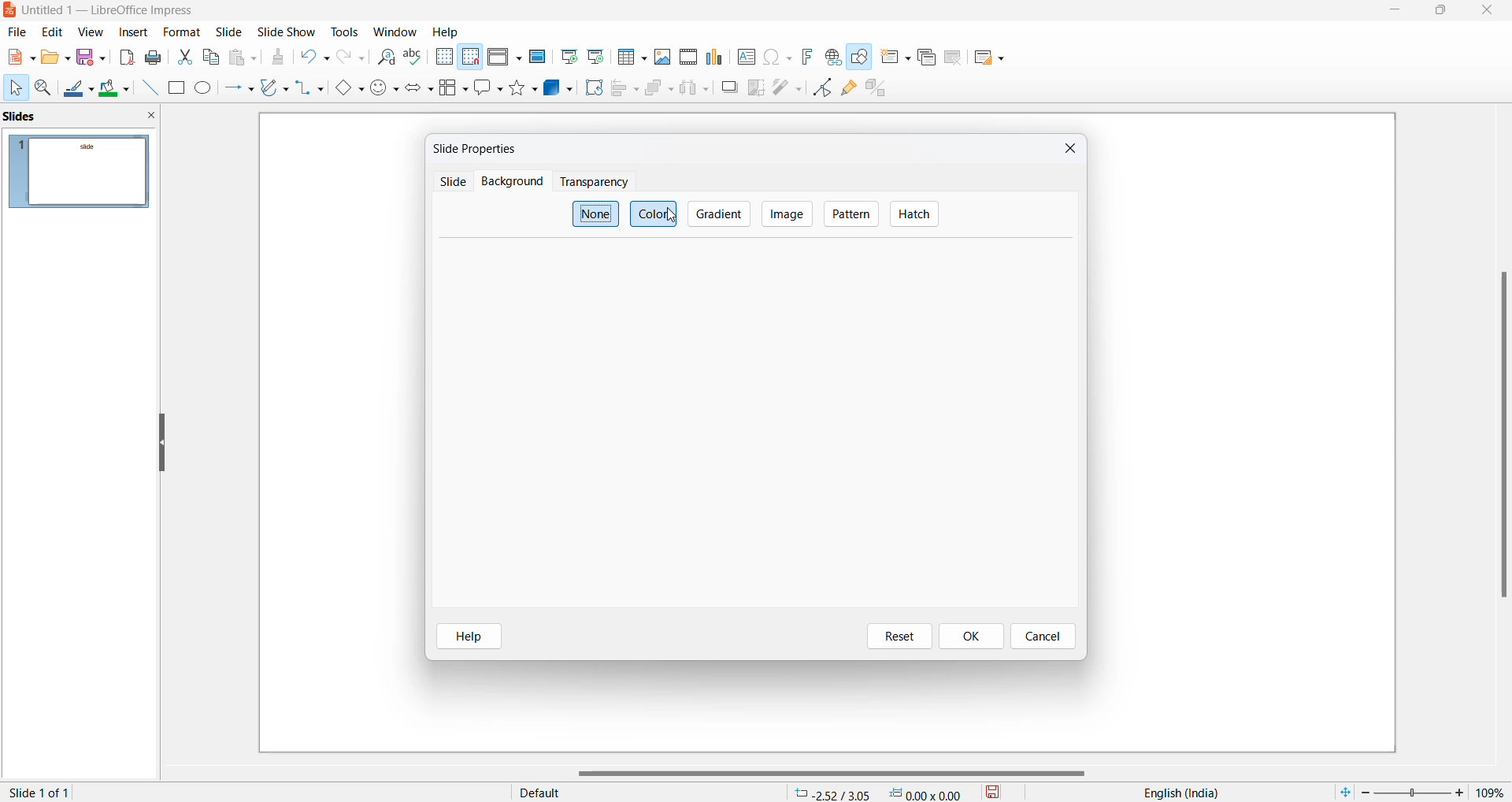 This screenshot has width=1512, height=802. Describe the element at coordinates (896, 637) in the screenshot. I see `reset` at that location.